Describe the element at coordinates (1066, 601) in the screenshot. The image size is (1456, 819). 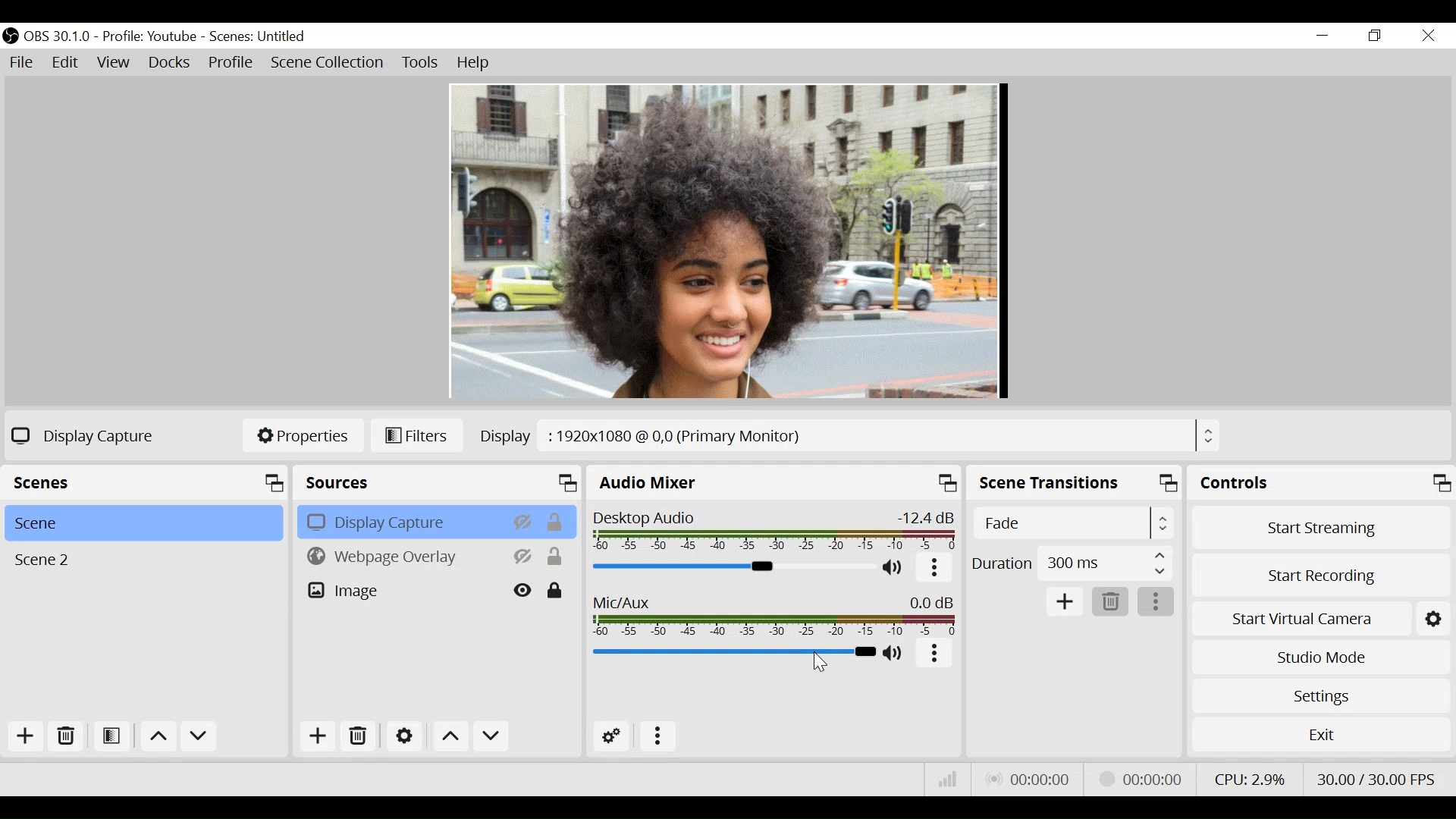
I see `Add ` at that location.